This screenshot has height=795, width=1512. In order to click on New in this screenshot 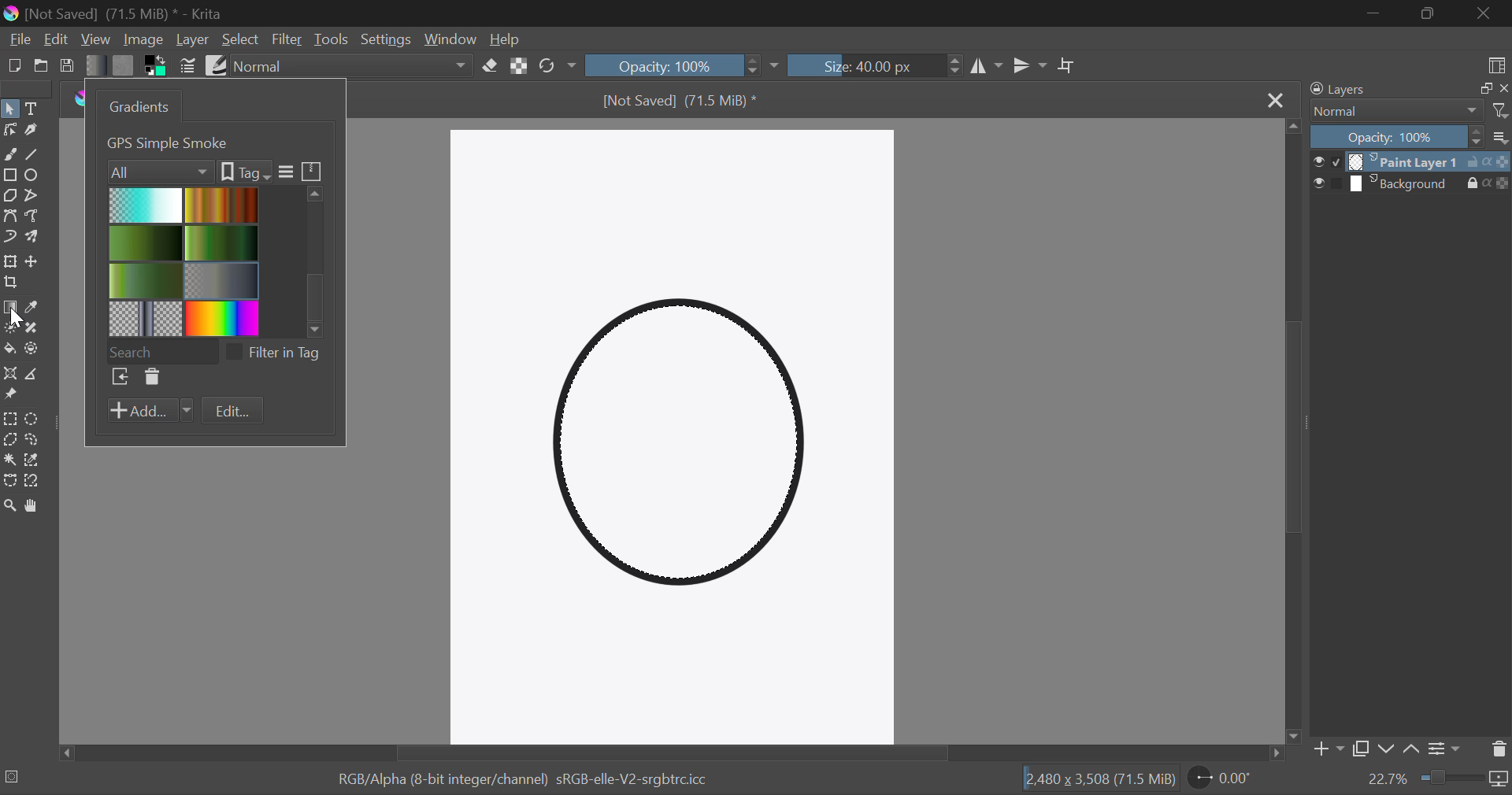, I will do `click(13, 66)`.